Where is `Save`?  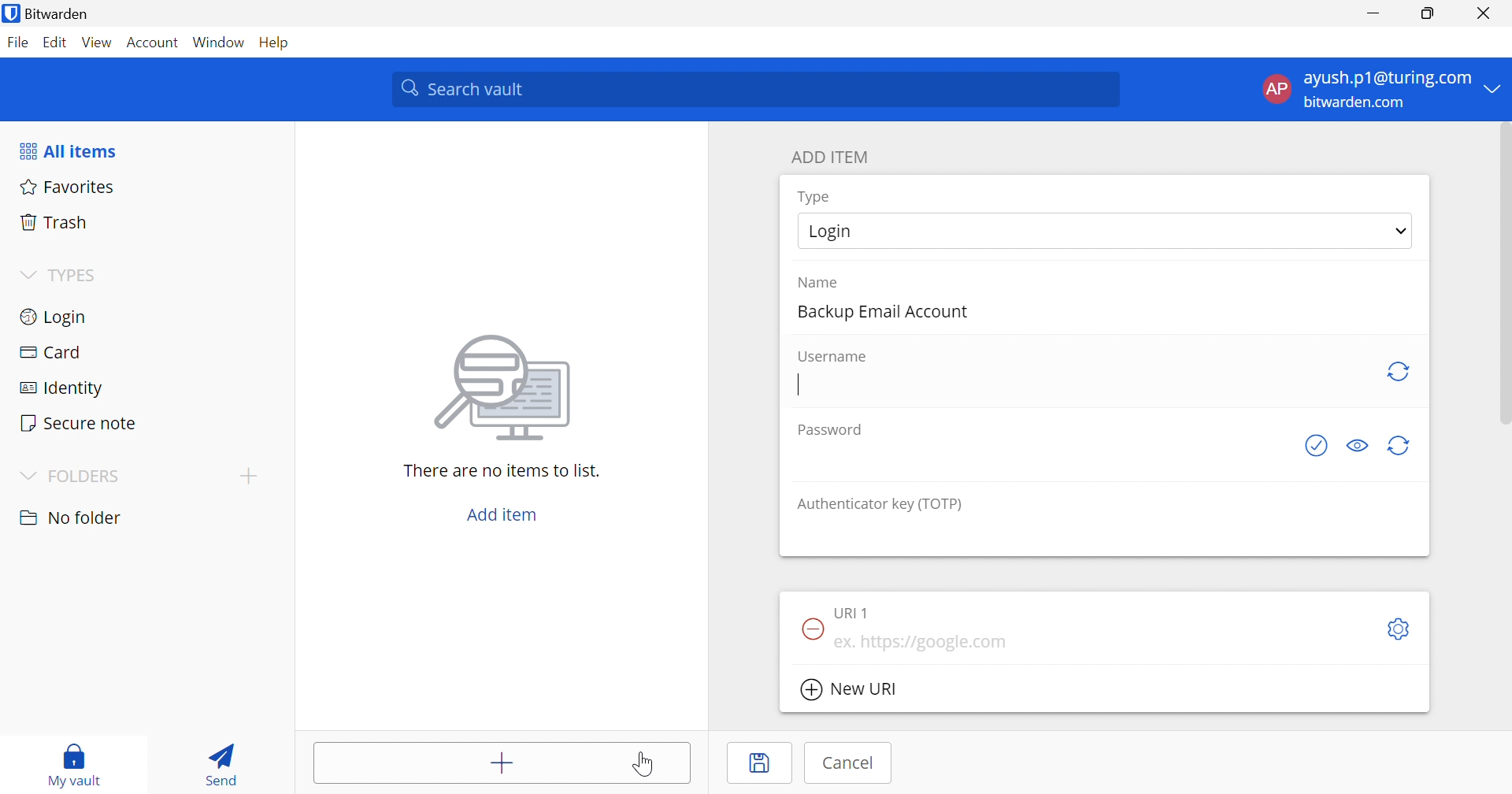 Save is located at coordinates (759, 764).